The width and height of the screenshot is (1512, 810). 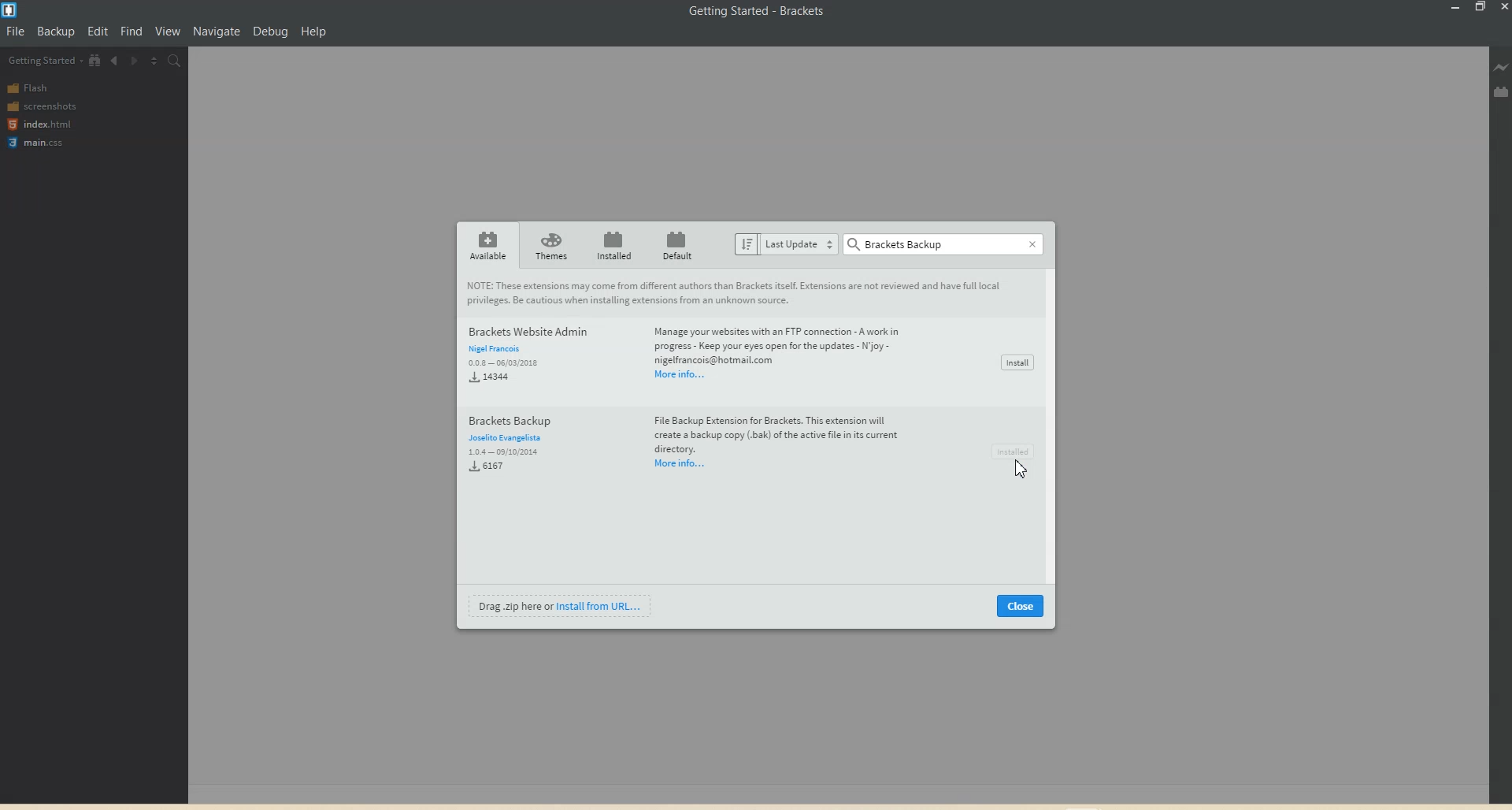 I want to click on Install, so click(x=1018, y=362).